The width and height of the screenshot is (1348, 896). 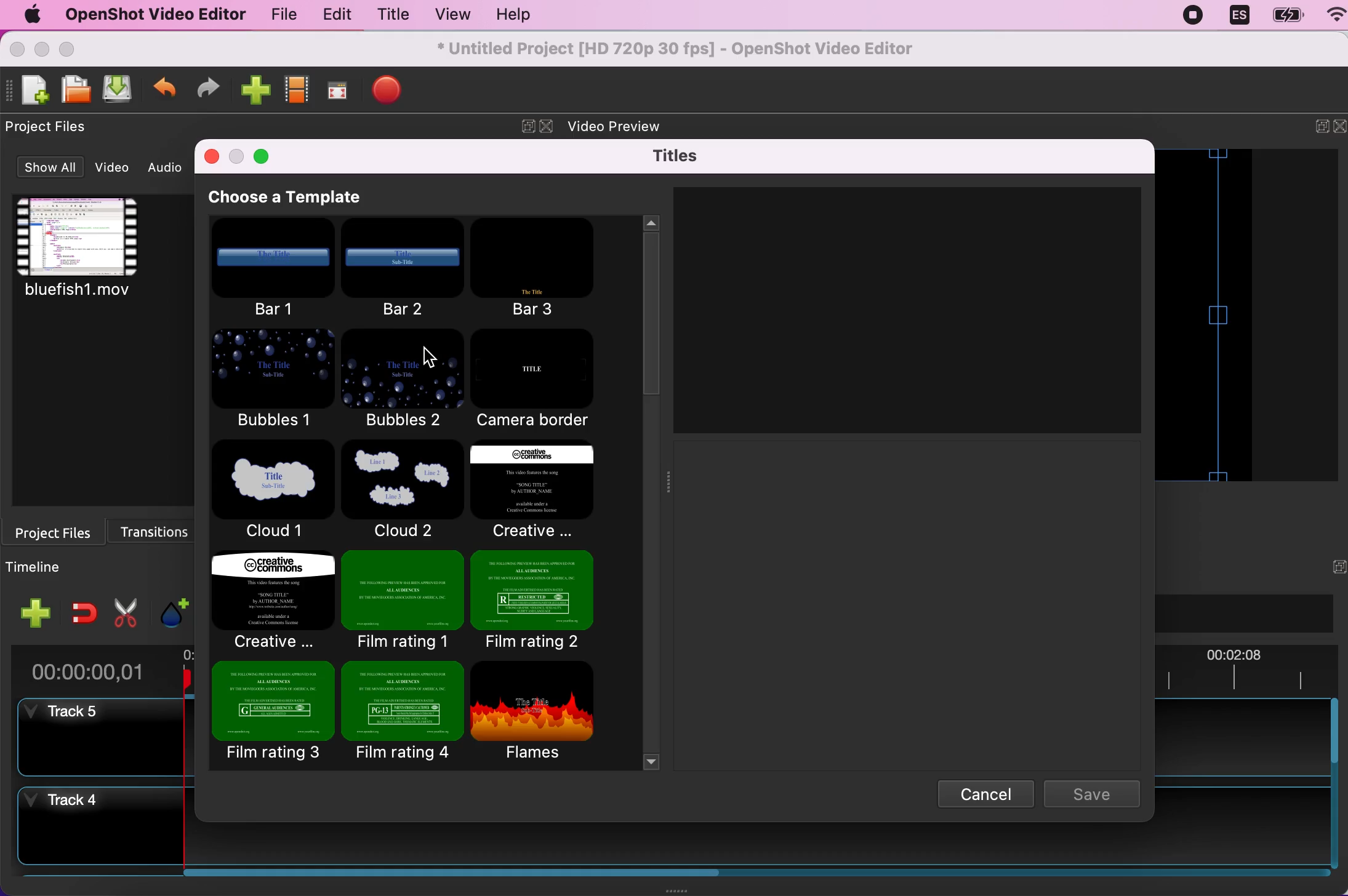 What do you see at coordinates (253, 91) in the screenshot?
I see `import file` at bounding box center [253, 91].